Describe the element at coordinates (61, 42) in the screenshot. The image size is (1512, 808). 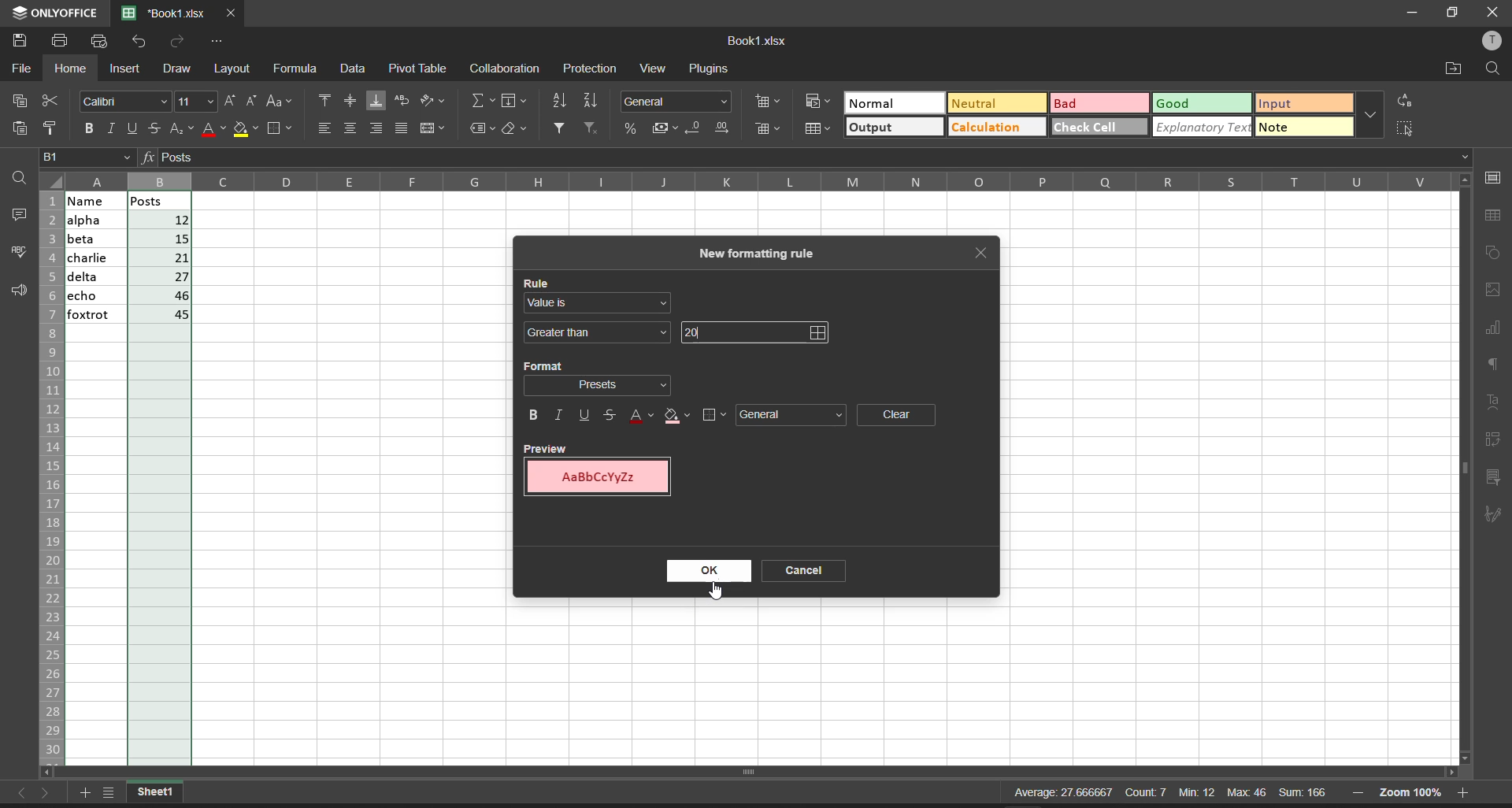
I see `print` at that location.